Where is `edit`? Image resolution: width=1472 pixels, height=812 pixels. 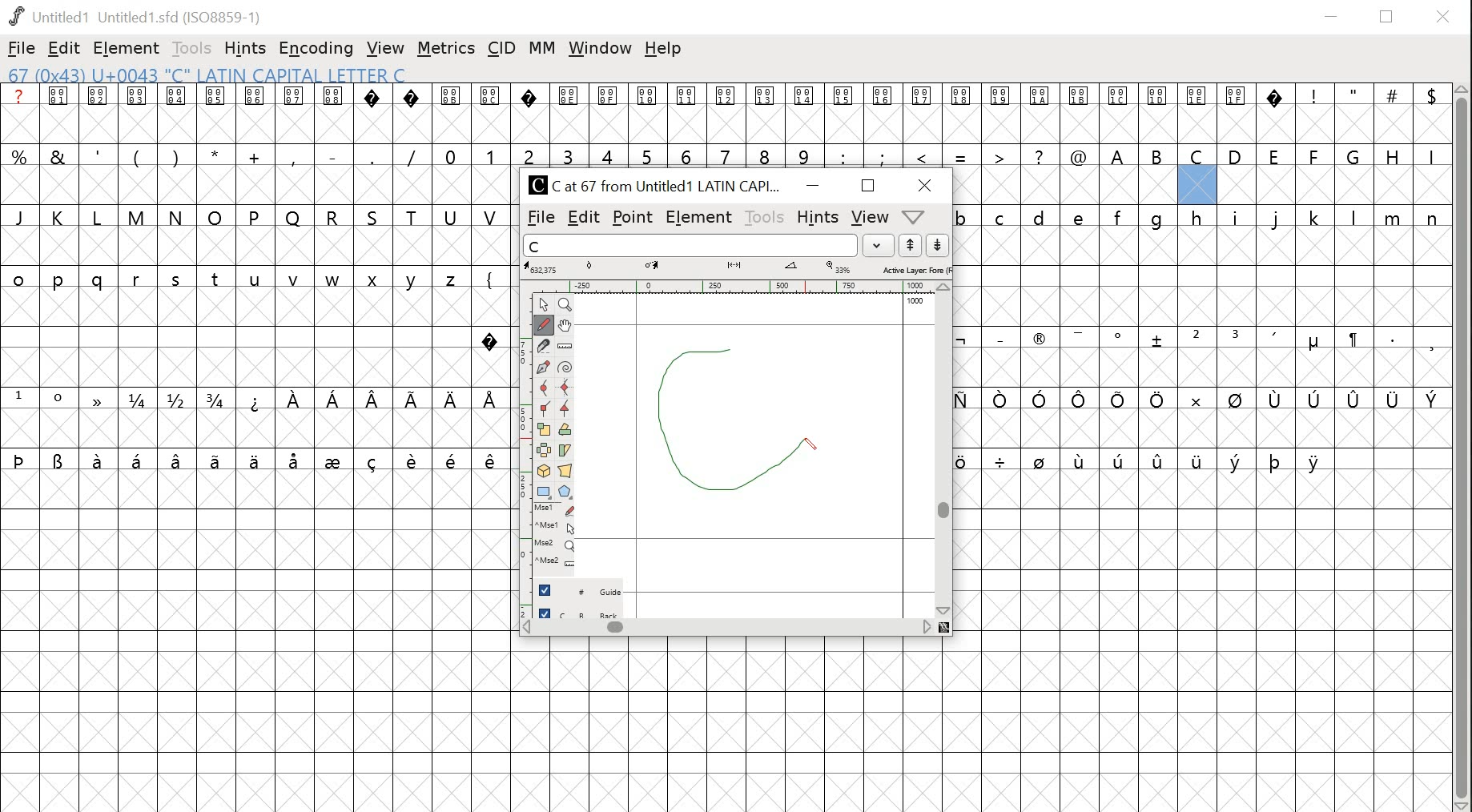
edit is located at coordinates (584, 218).